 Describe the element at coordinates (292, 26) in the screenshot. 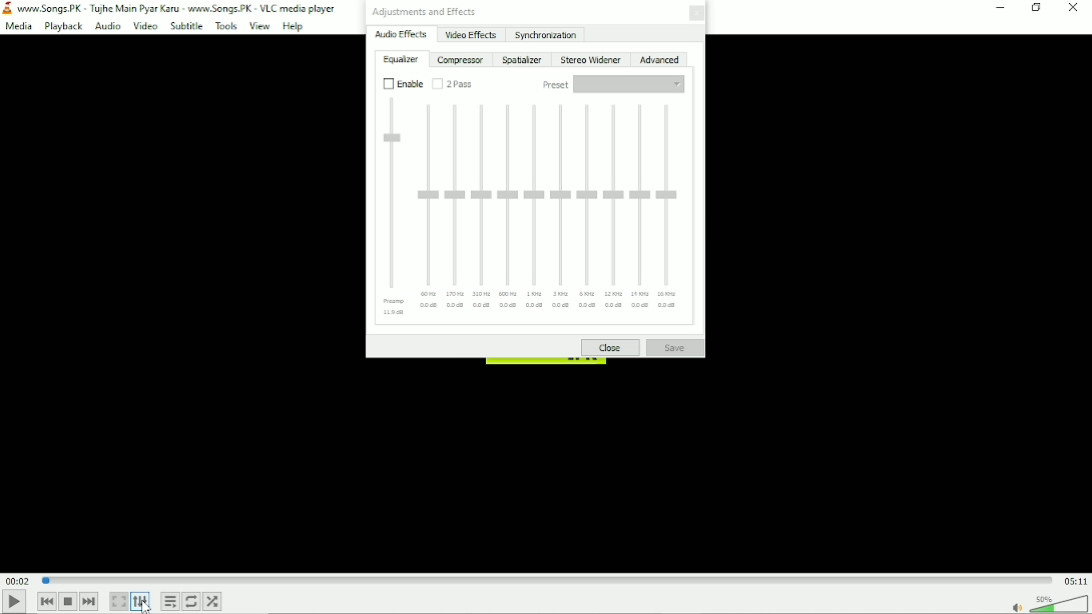

I see `Help` at that location.